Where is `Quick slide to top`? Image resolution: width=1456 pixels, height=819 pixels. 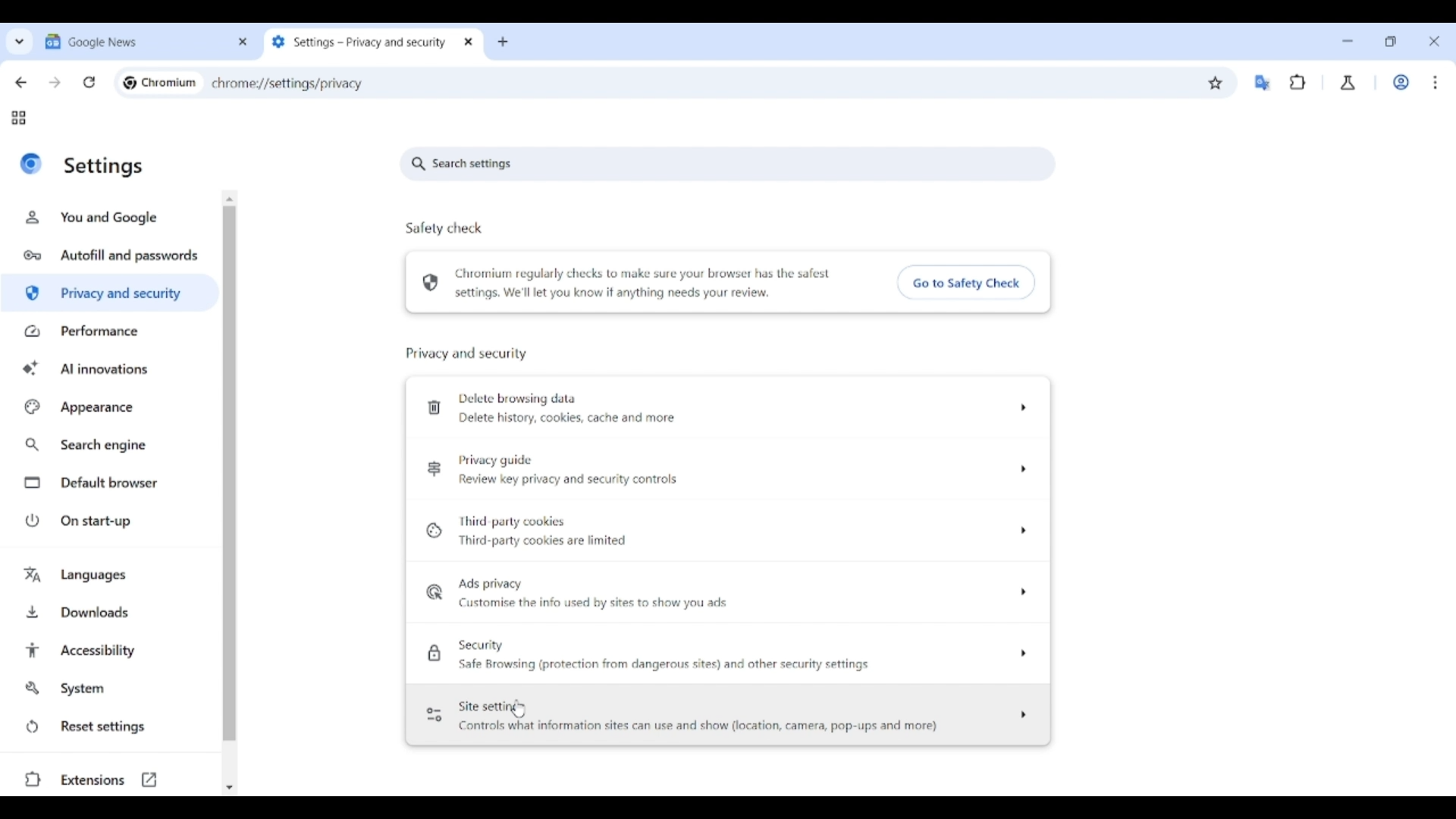
Quick slide to top is located at coordinates (230, 199).